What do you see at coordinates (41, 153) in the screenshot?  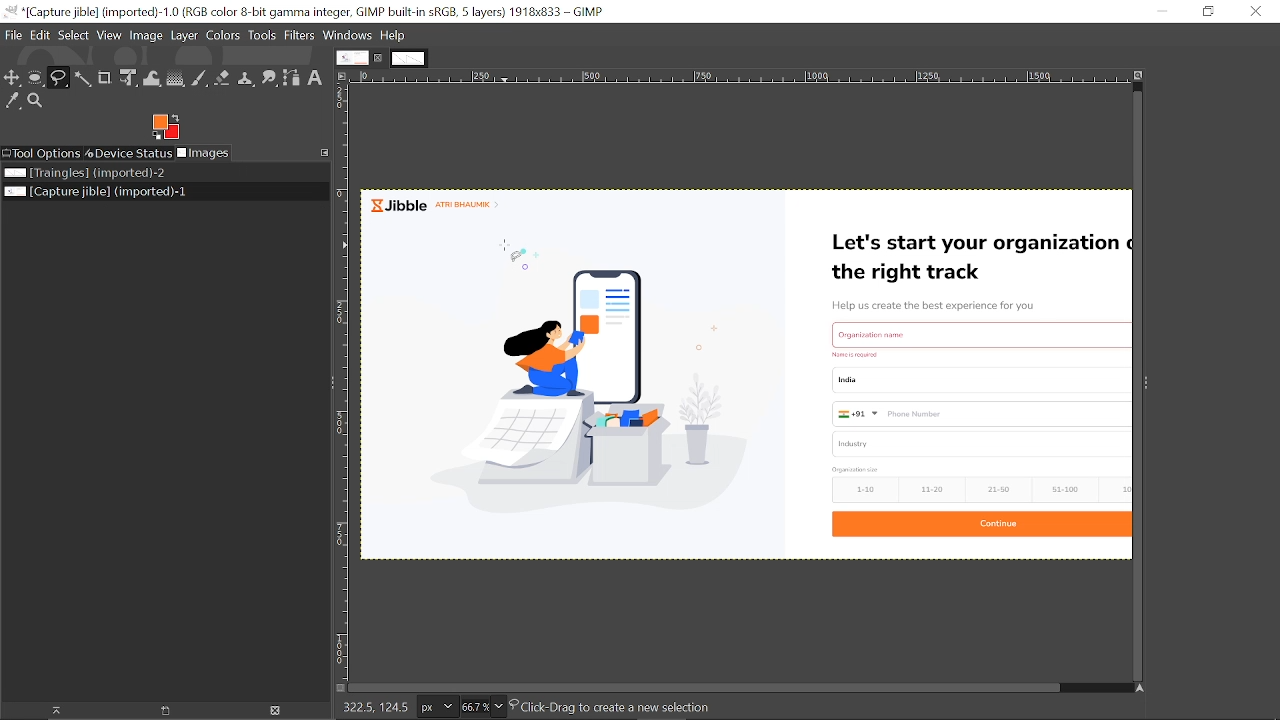 I see `Tool options` at bounding box center [41, 153].